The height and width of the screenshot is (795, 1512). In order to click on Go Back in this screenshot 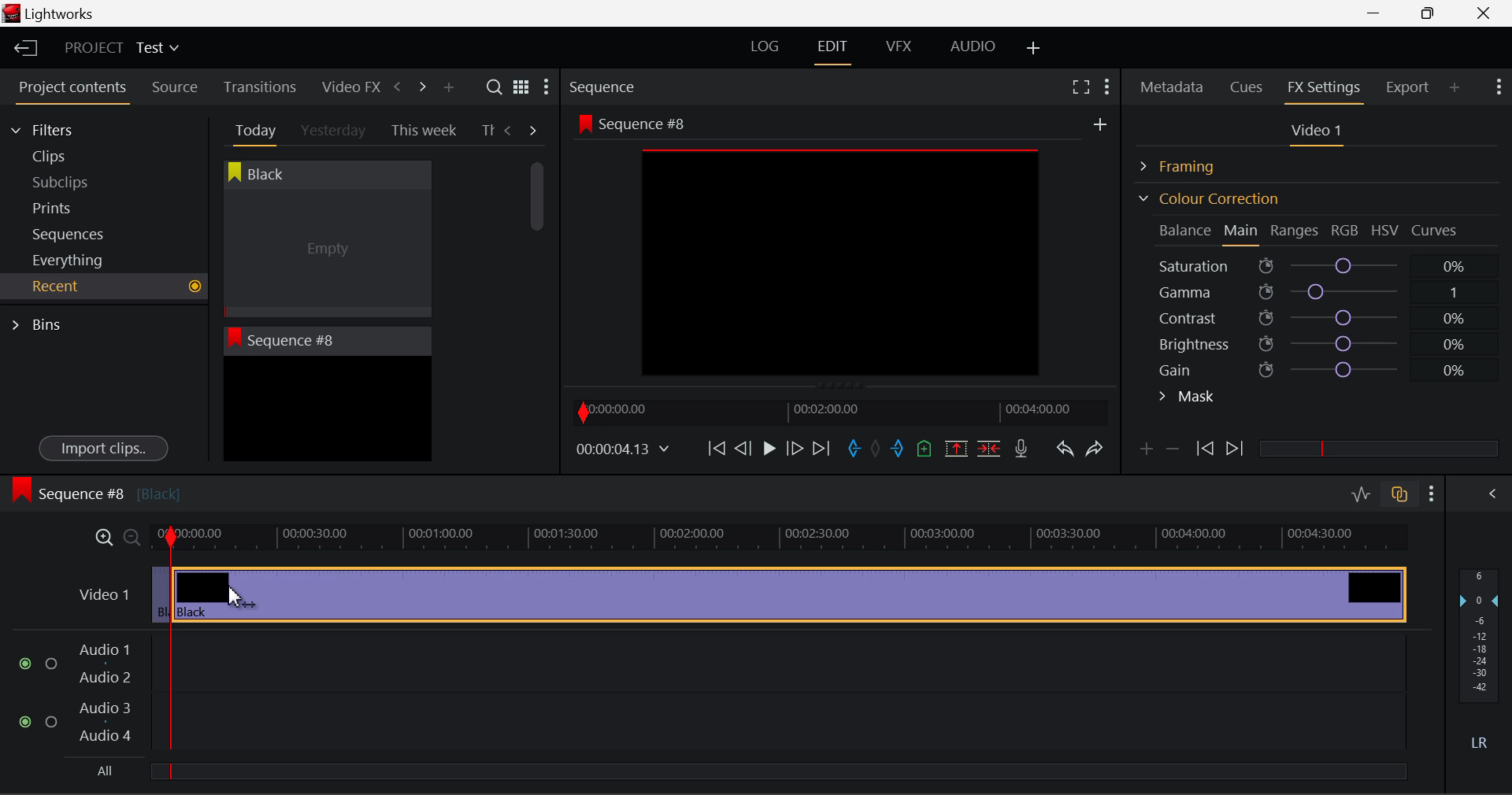, I will do `click(745, 447)`.